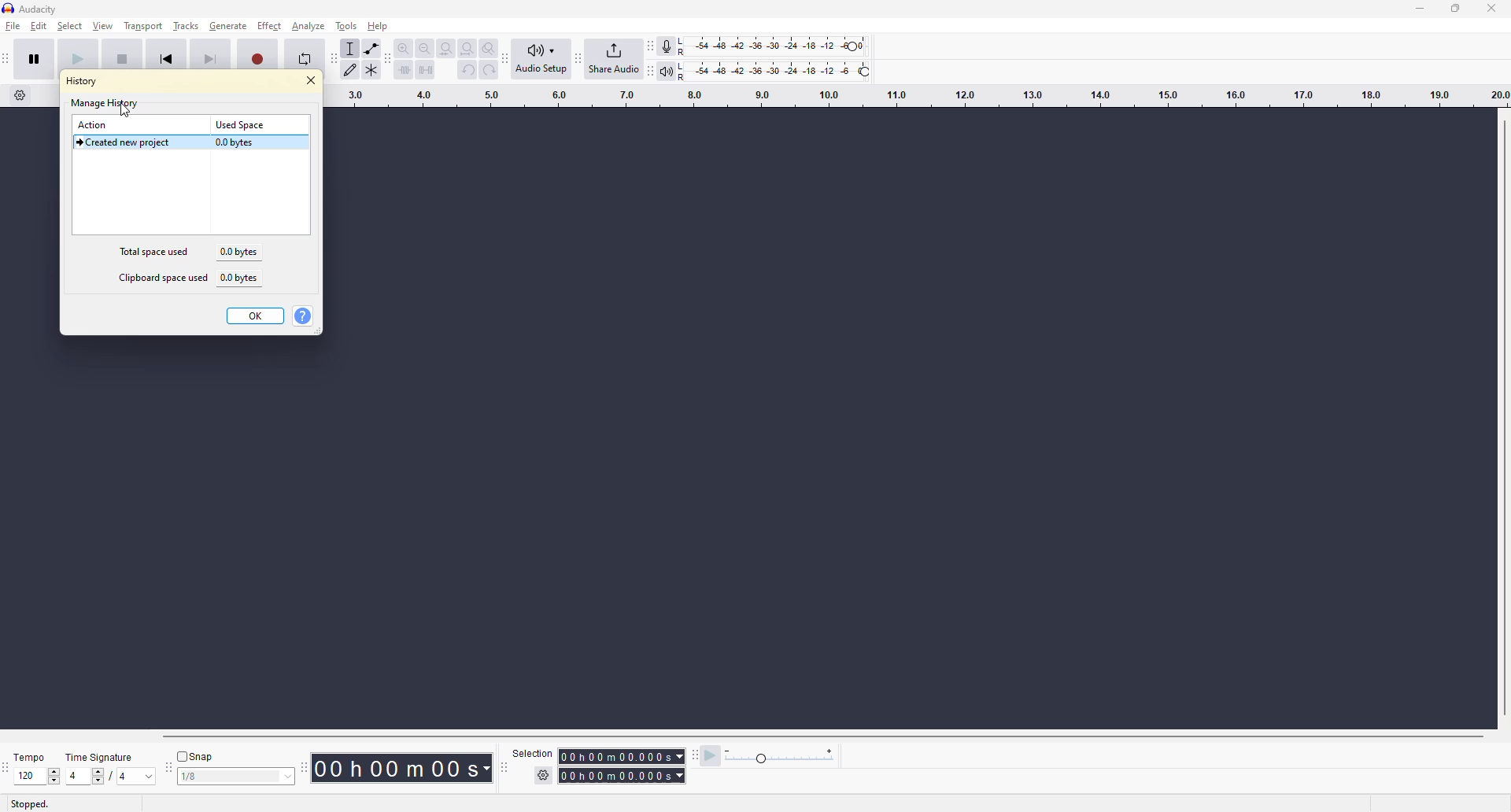 The height and width of the screenshot is (812, 1511). Describe the element at coordinates (20, 95) in the screenshot. I see `timeline options` at that location.